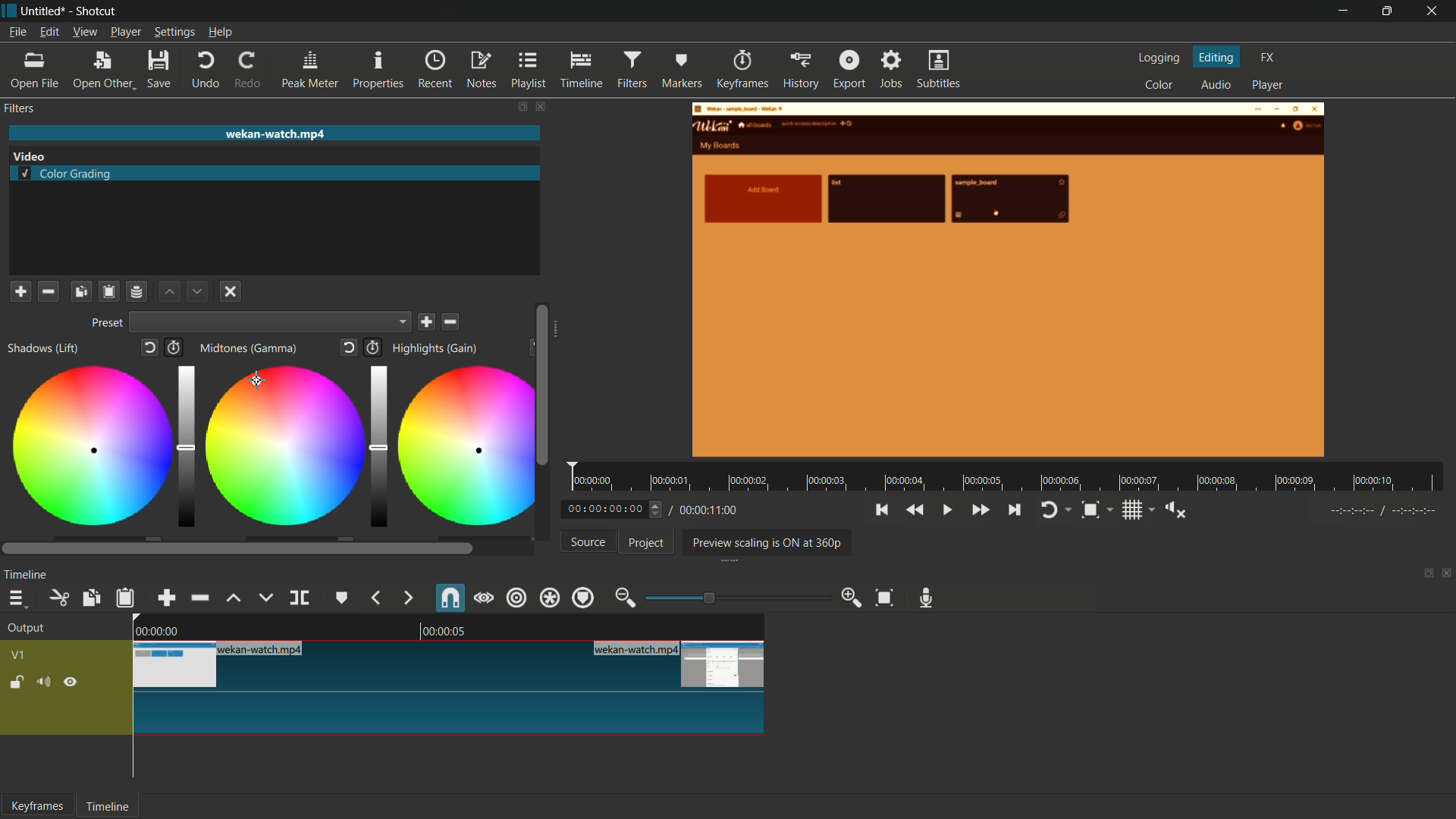  Describe the element at coordinates (61, 598) in the screenshot. I see `cut` at that location.